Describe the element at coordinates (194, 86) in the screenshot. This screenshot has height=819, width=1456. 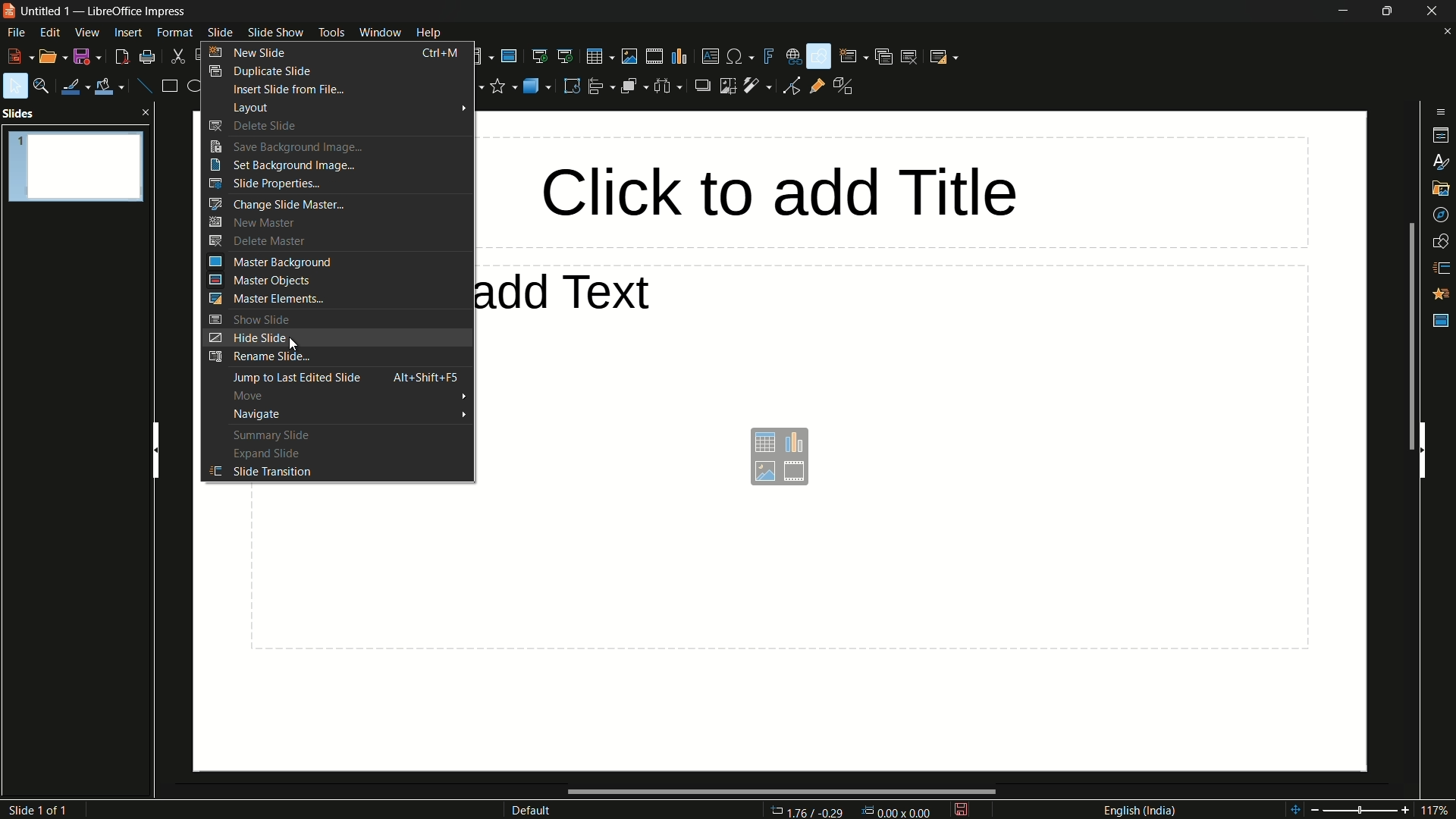
I see `ellipse` at that location.